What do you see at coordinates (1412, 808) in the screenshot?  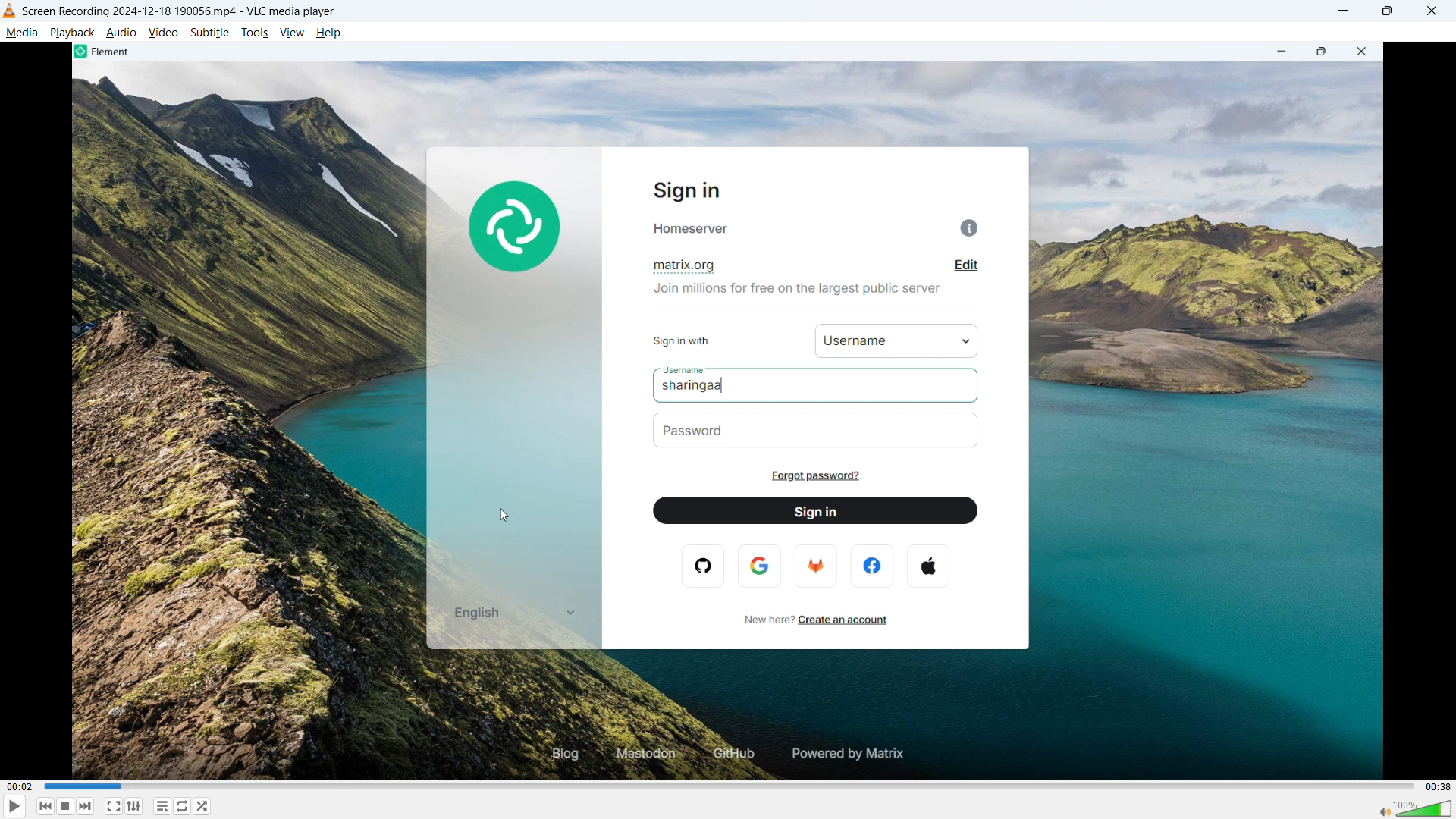 I see `volume bar` at bounding box center [1412, 808].